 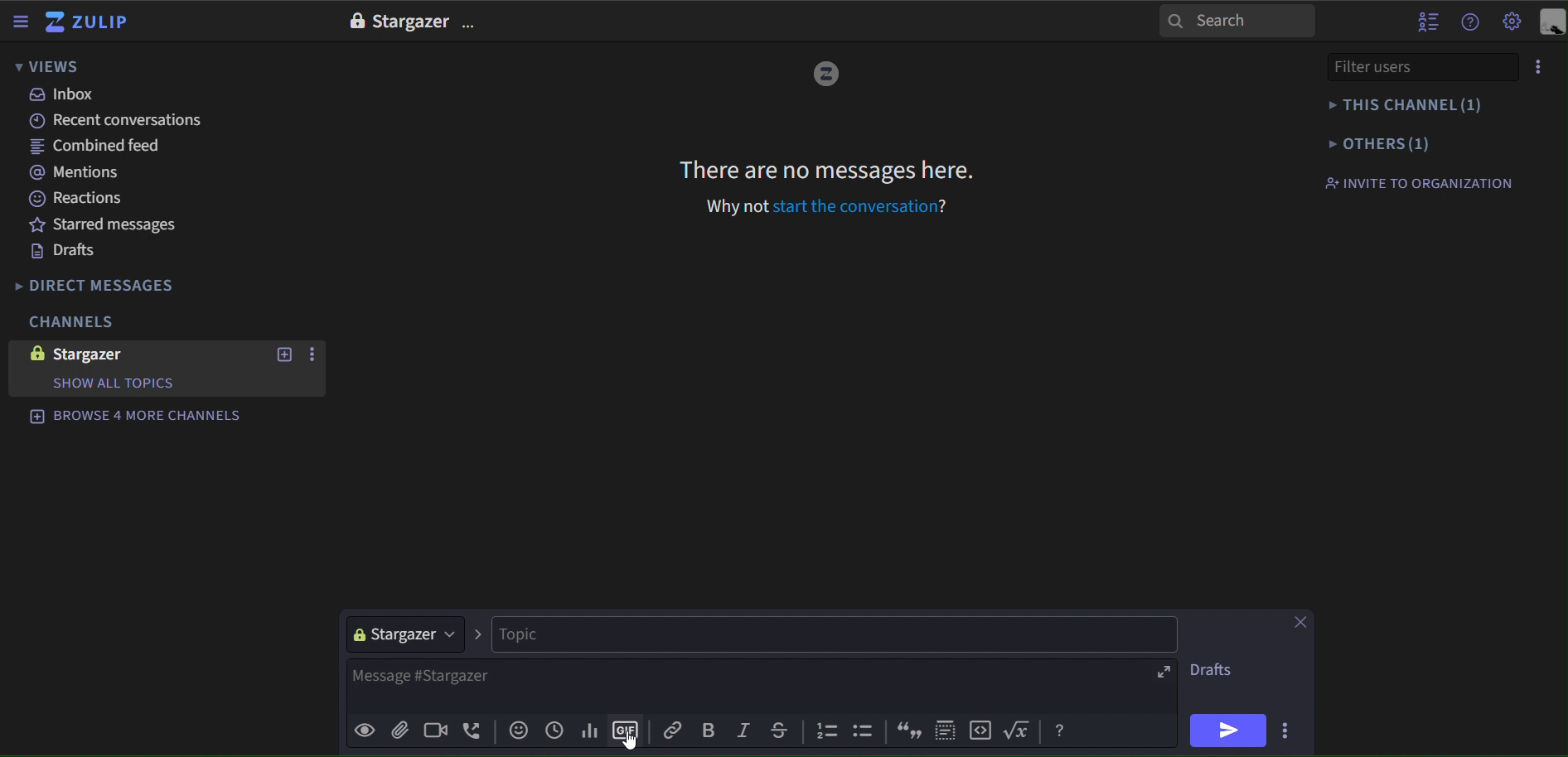 I want to click on icon, so click(x=1021, y=730).